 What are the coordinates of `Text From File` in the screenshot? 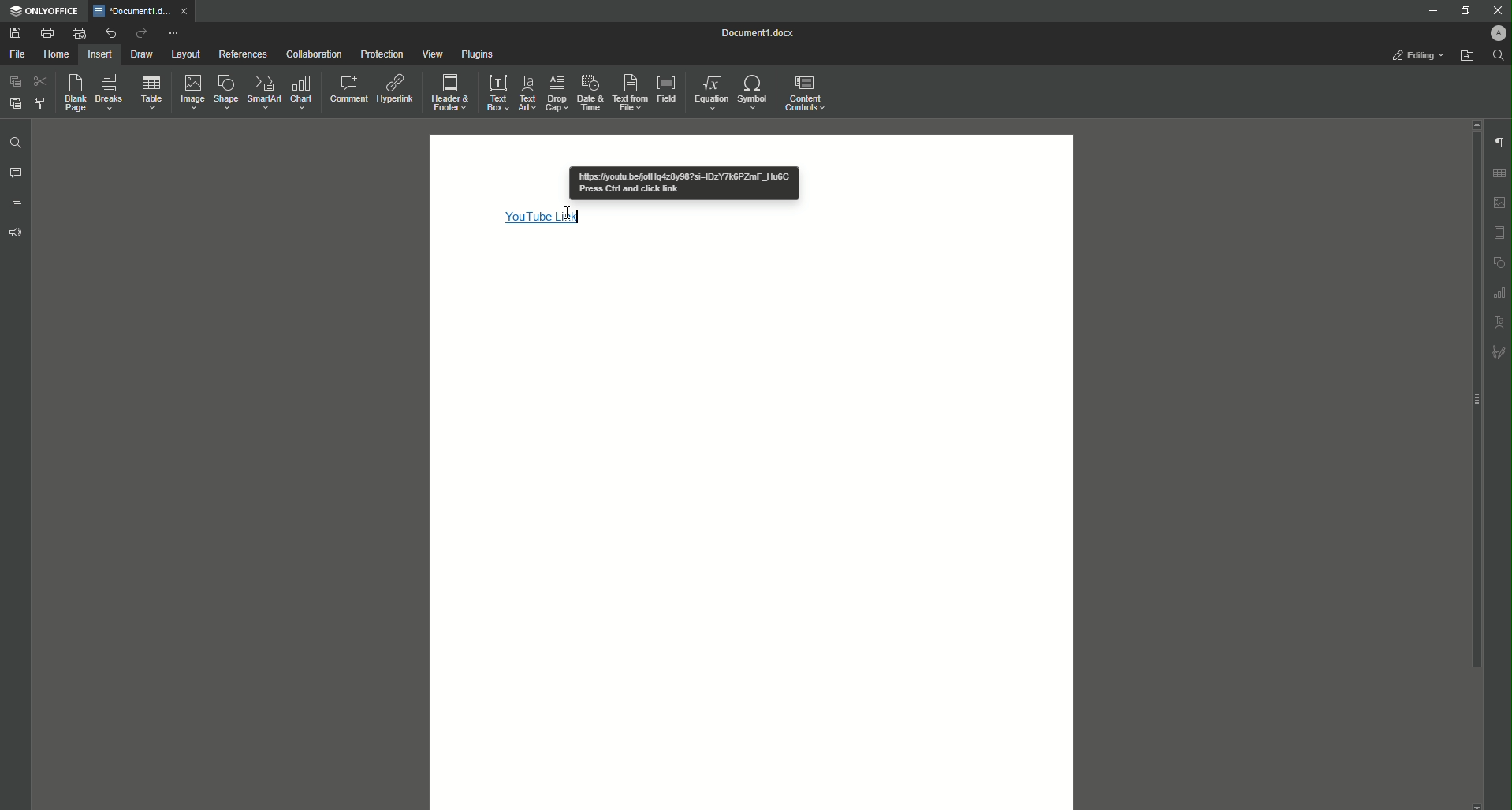 It's located at (630, 91).